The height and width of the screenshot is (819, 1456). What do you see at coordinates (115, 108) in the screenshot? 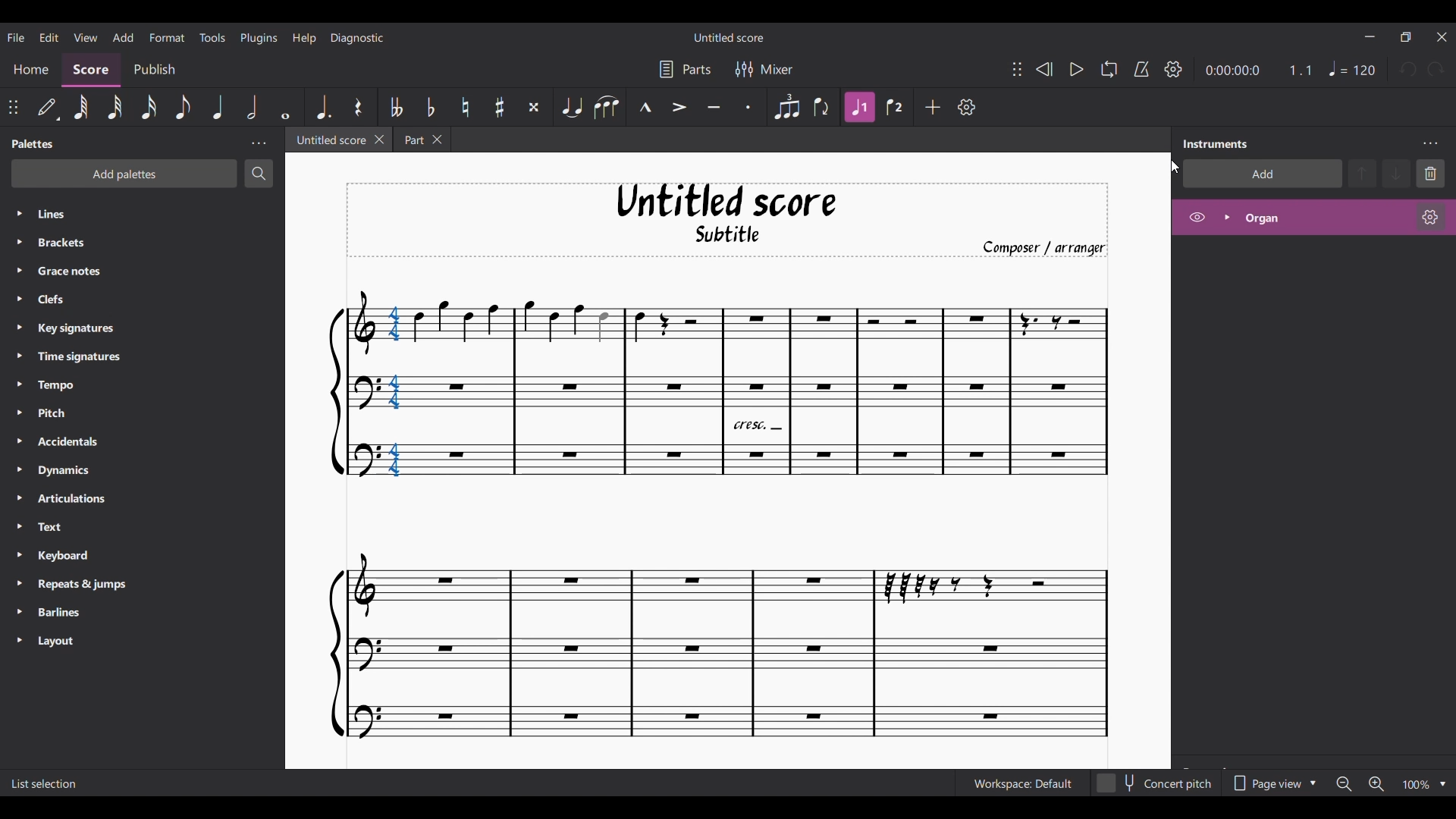
I see `32nd note` at bounding box center [115, 108].